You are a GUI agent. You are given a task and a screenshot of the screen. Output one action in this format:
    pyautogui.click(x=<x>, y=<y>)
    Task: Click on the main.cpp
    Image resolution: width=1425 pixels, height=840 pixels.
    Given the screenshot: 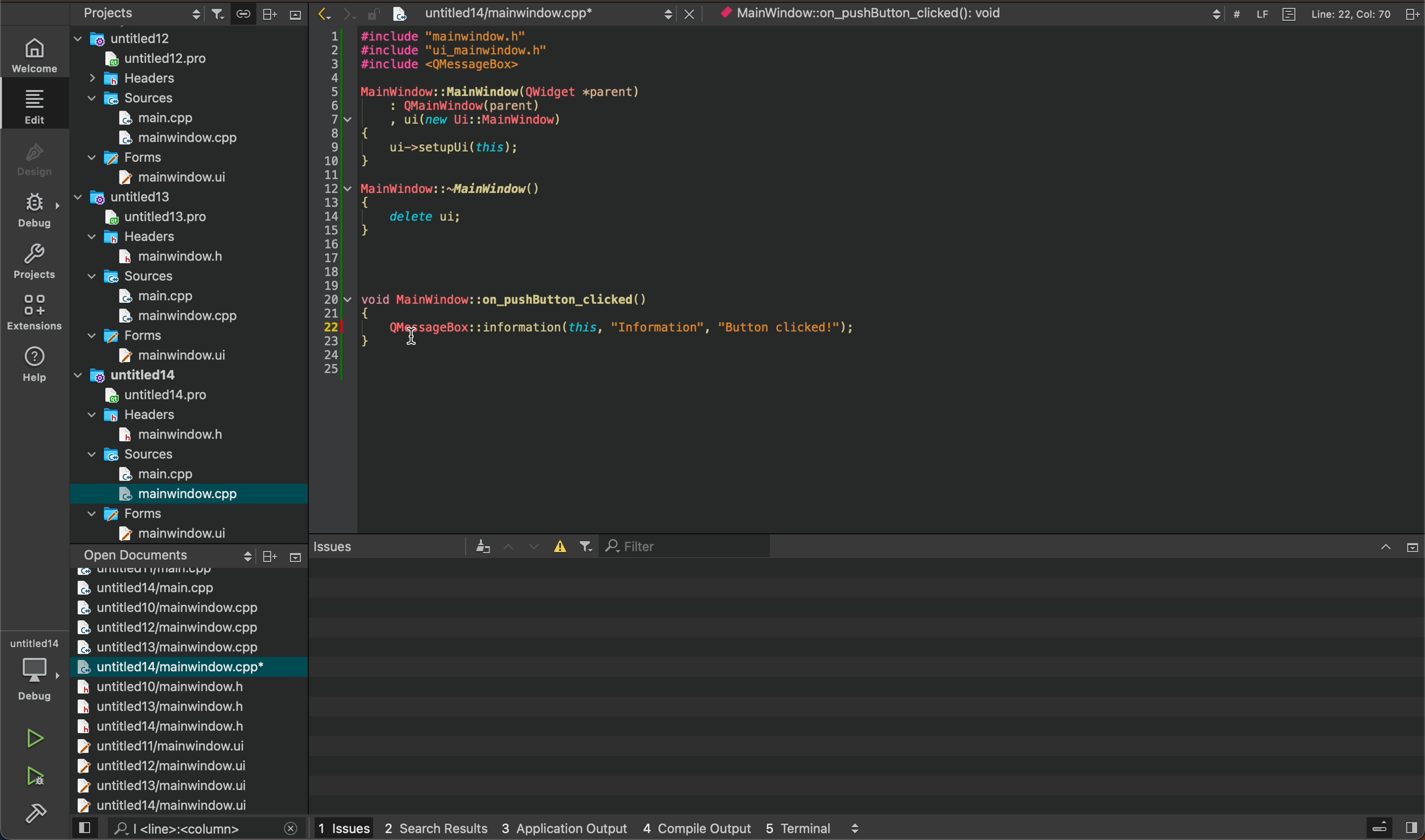 What is the action you would take?
    pyautogui.click(x=153, y=118)
    